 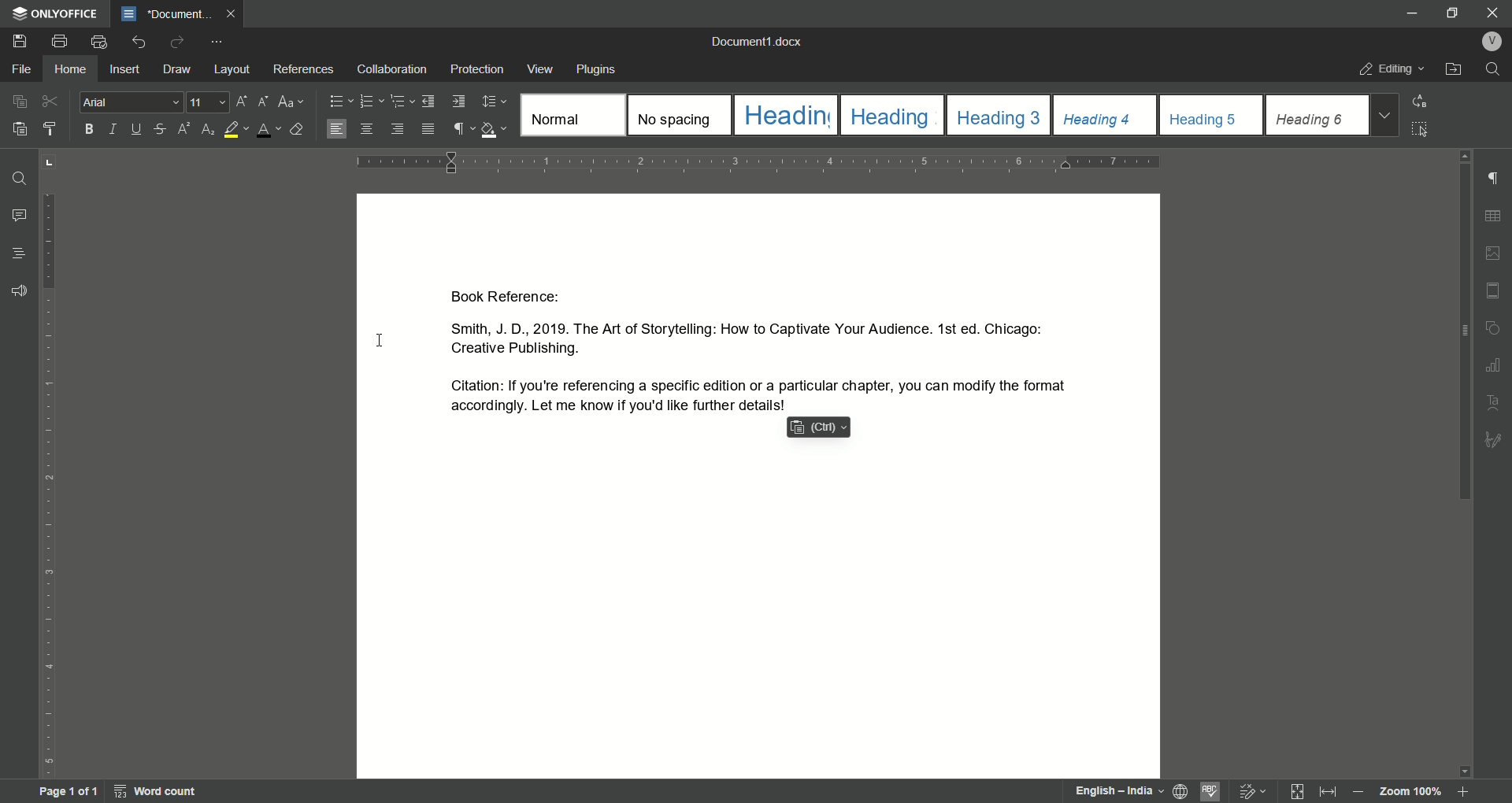 What do you see at coordinates (1210, 790) in the screenshot?
I see `spell check` at bounding box center [1210, 790].